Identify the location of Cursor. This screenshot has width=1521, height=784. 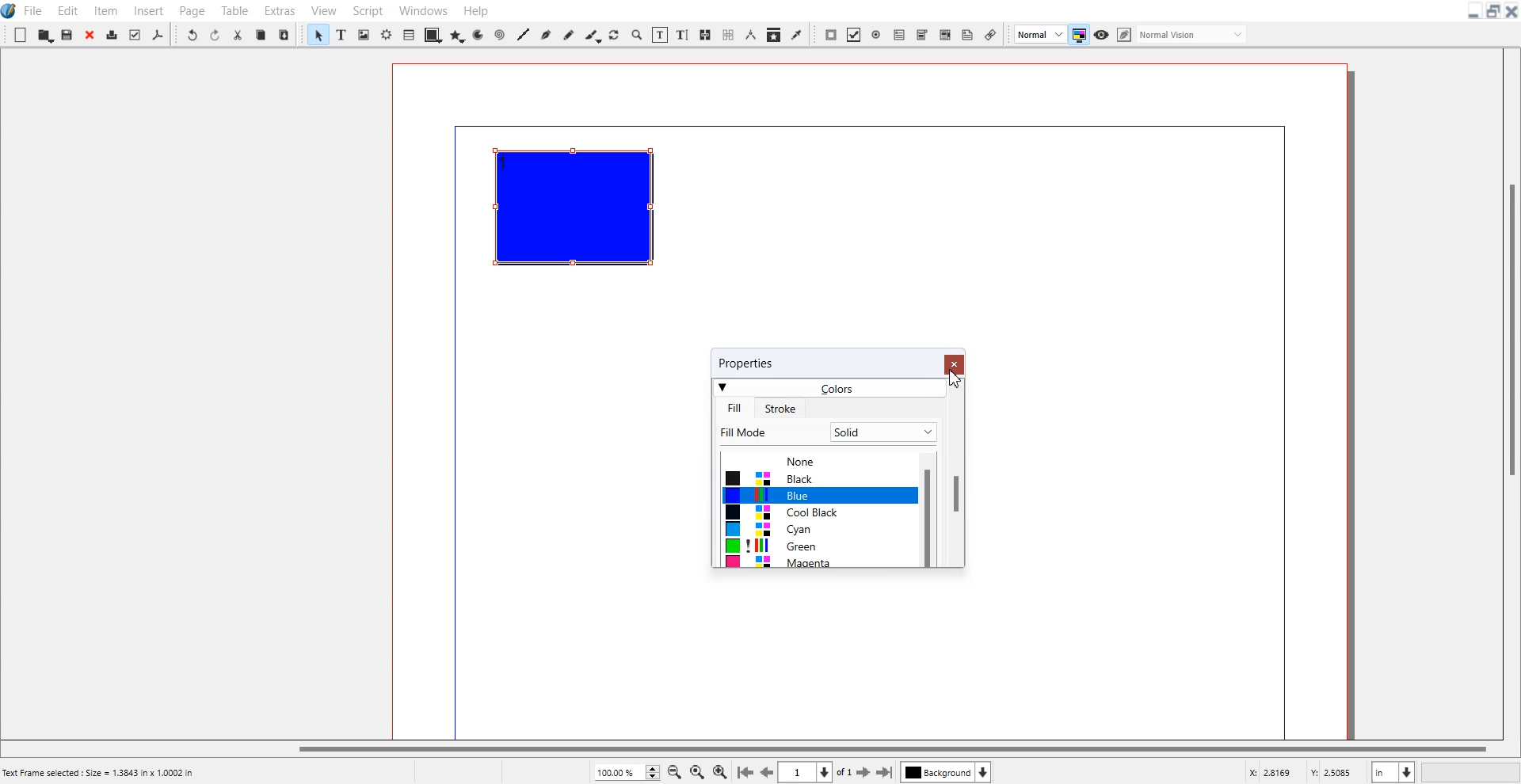
(957, 378).